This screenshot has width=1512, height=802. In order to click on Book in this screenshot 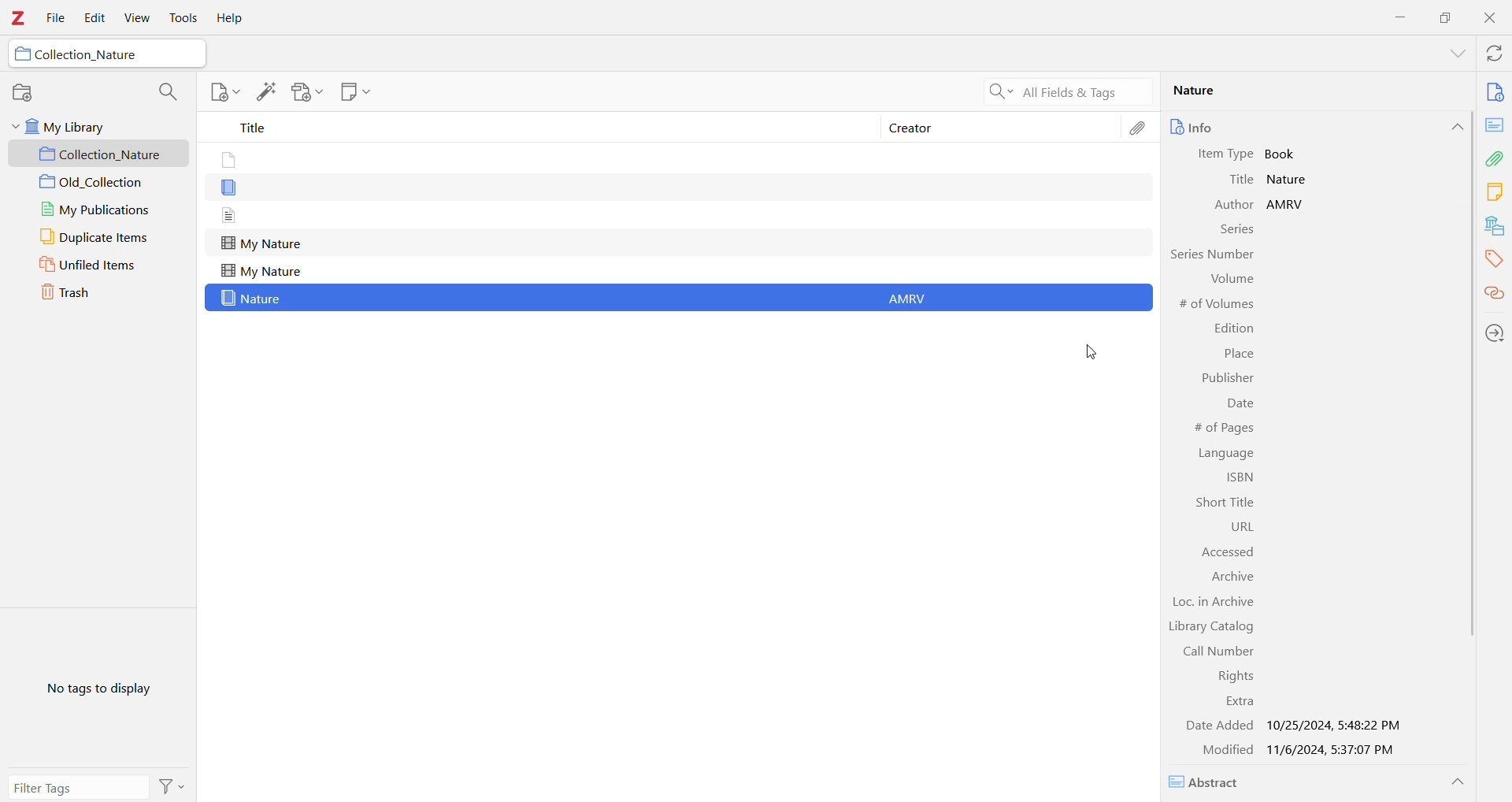, I will do `click(1284, 154)`.